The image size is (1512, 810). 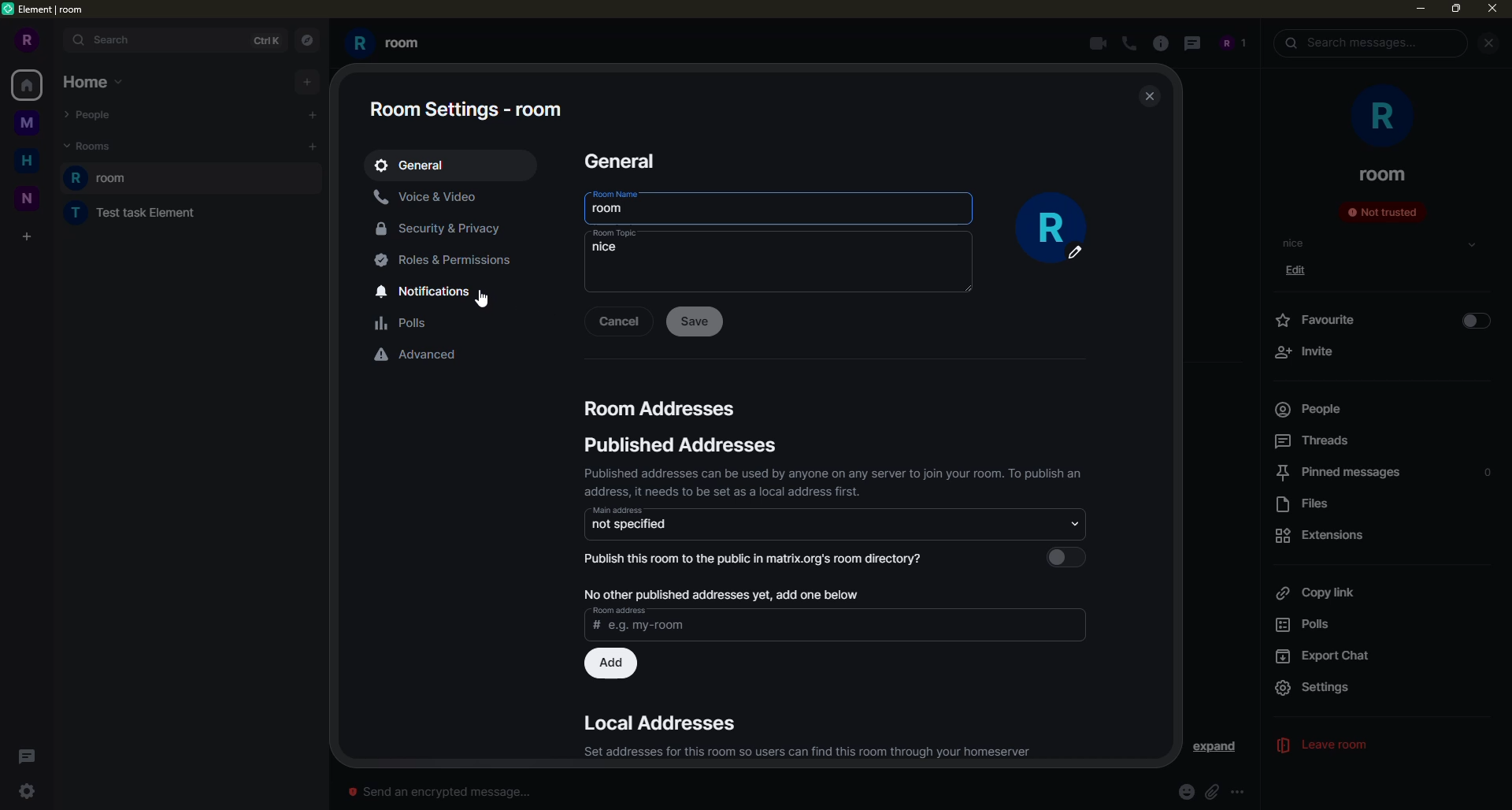 I want to click on cancel, so click(x=618, y=320).